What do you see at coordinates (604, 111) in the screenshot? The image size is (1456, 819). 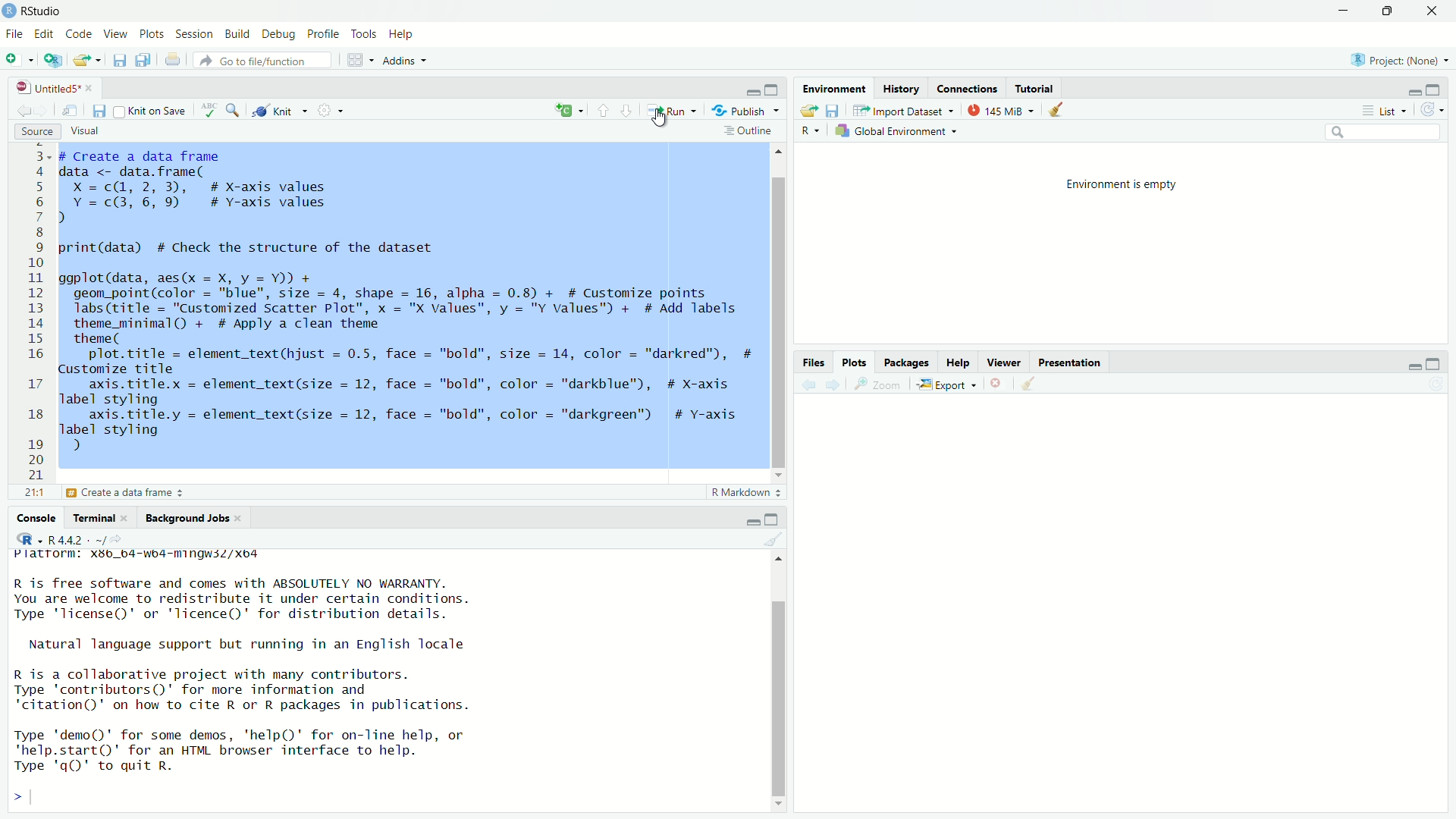 I see `Go to the previous section/chunk` at bounding box center [604, 111].